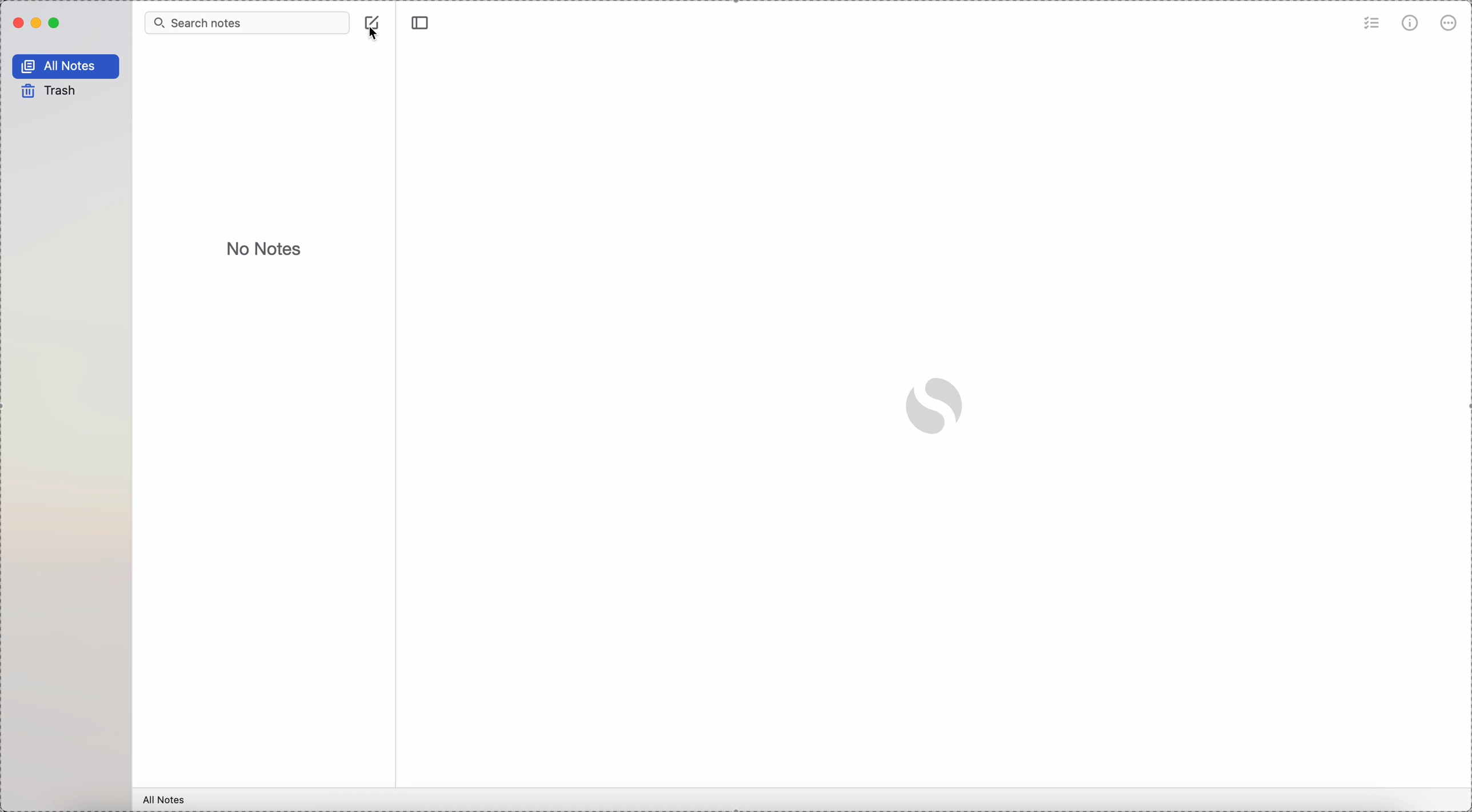 This screenshot has width=1472, height=812. Describe the element at coordinates (1411, 23) in the screenshot. I see `metrics` at that location.